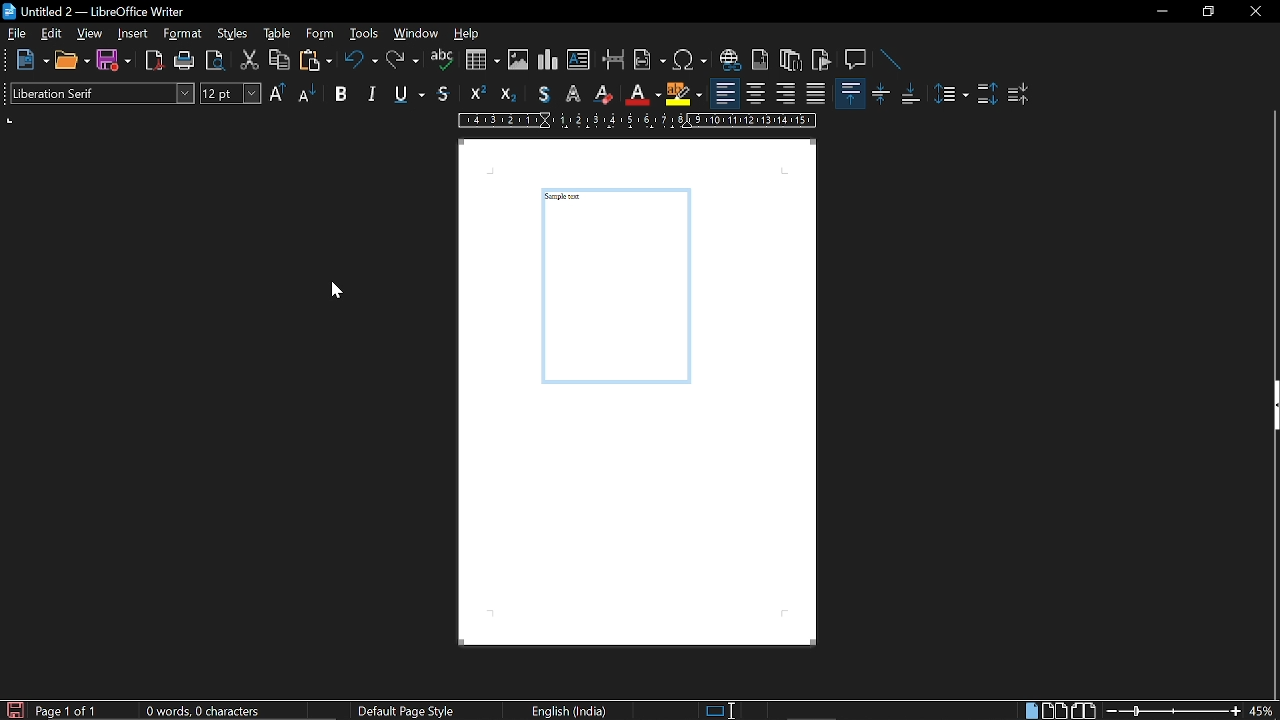  What do you see at coordinates (335, 289) in the screenshot?
I see `Cursor` at bounding box center [335, 289].